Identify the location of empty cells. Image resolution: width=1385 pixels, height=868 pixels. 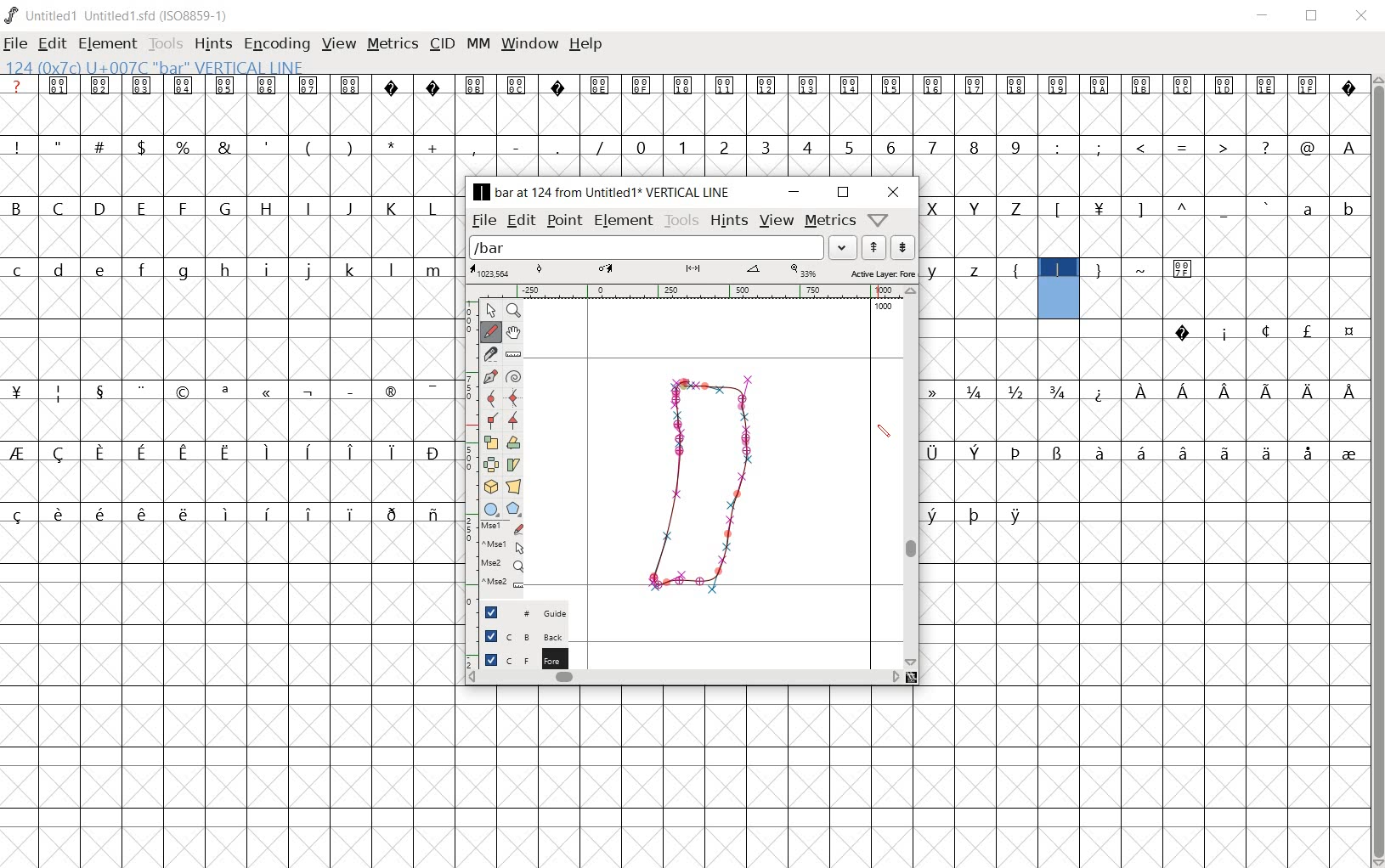
(1145, 603).